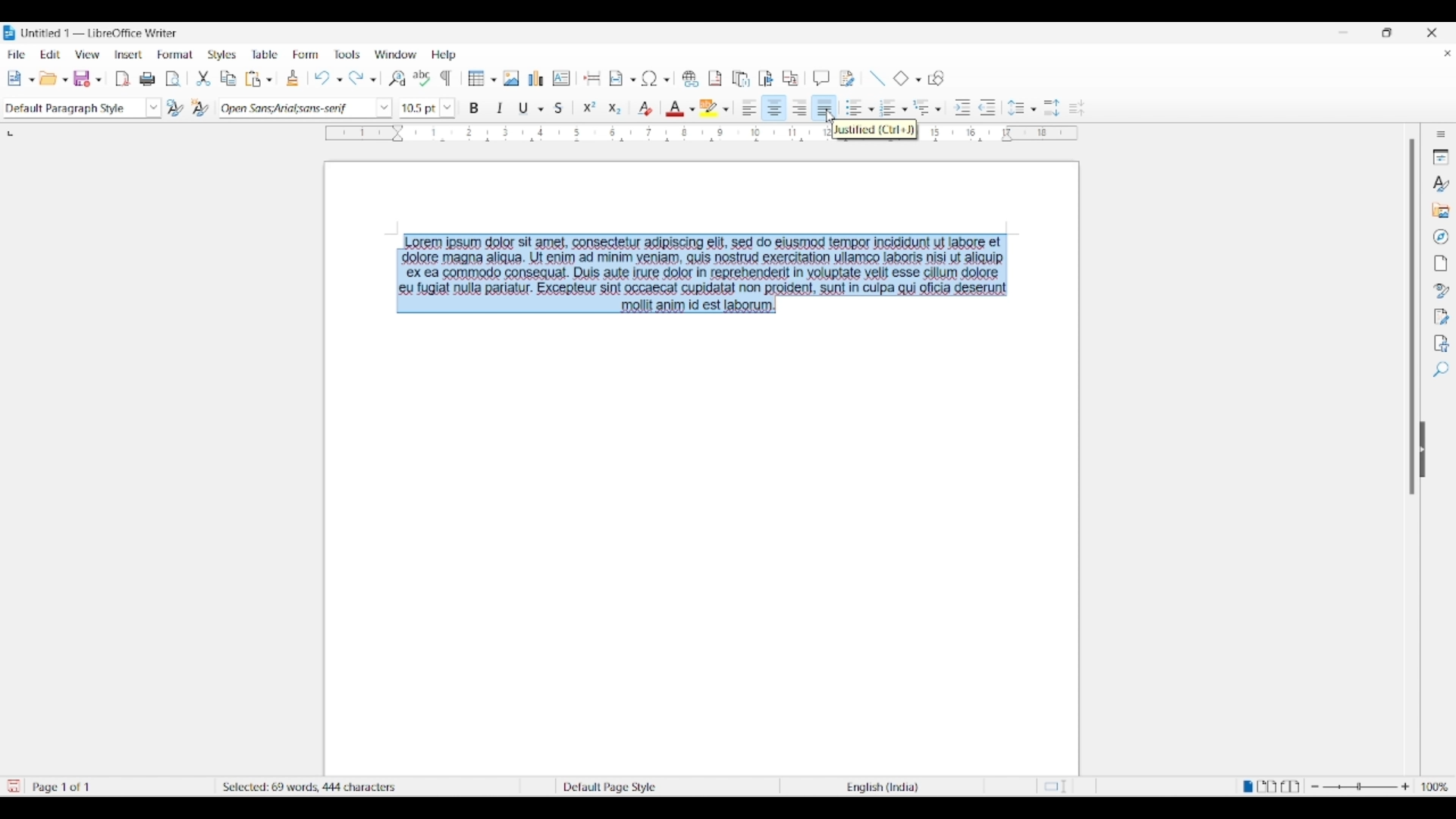 The image size is (1456, 819). Describe the element at coordinates (593, 77) in the screenshot. I see `Insert page break` at that location.